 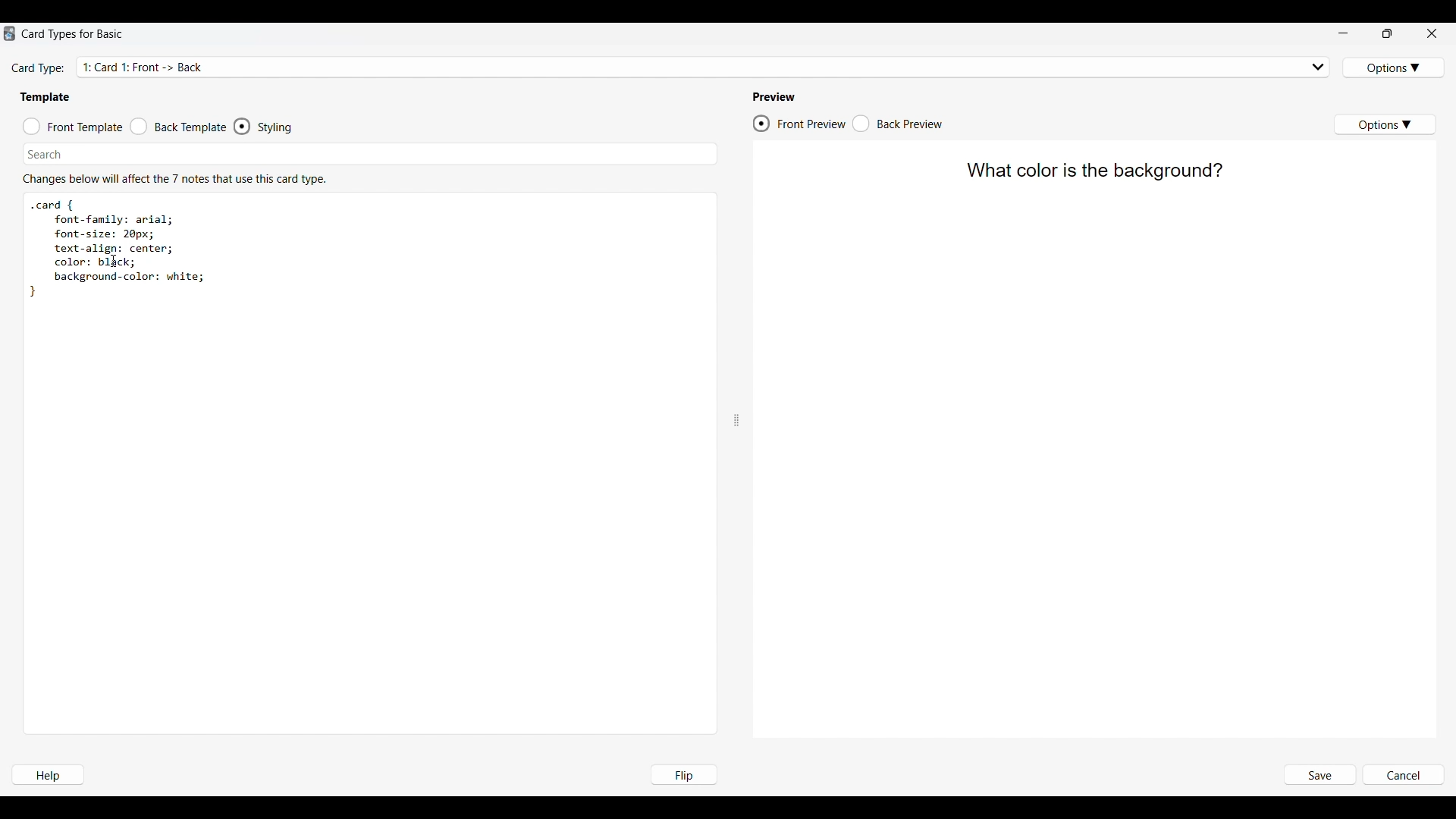 I want to click on Styling selected, so click(x=243, y=126).